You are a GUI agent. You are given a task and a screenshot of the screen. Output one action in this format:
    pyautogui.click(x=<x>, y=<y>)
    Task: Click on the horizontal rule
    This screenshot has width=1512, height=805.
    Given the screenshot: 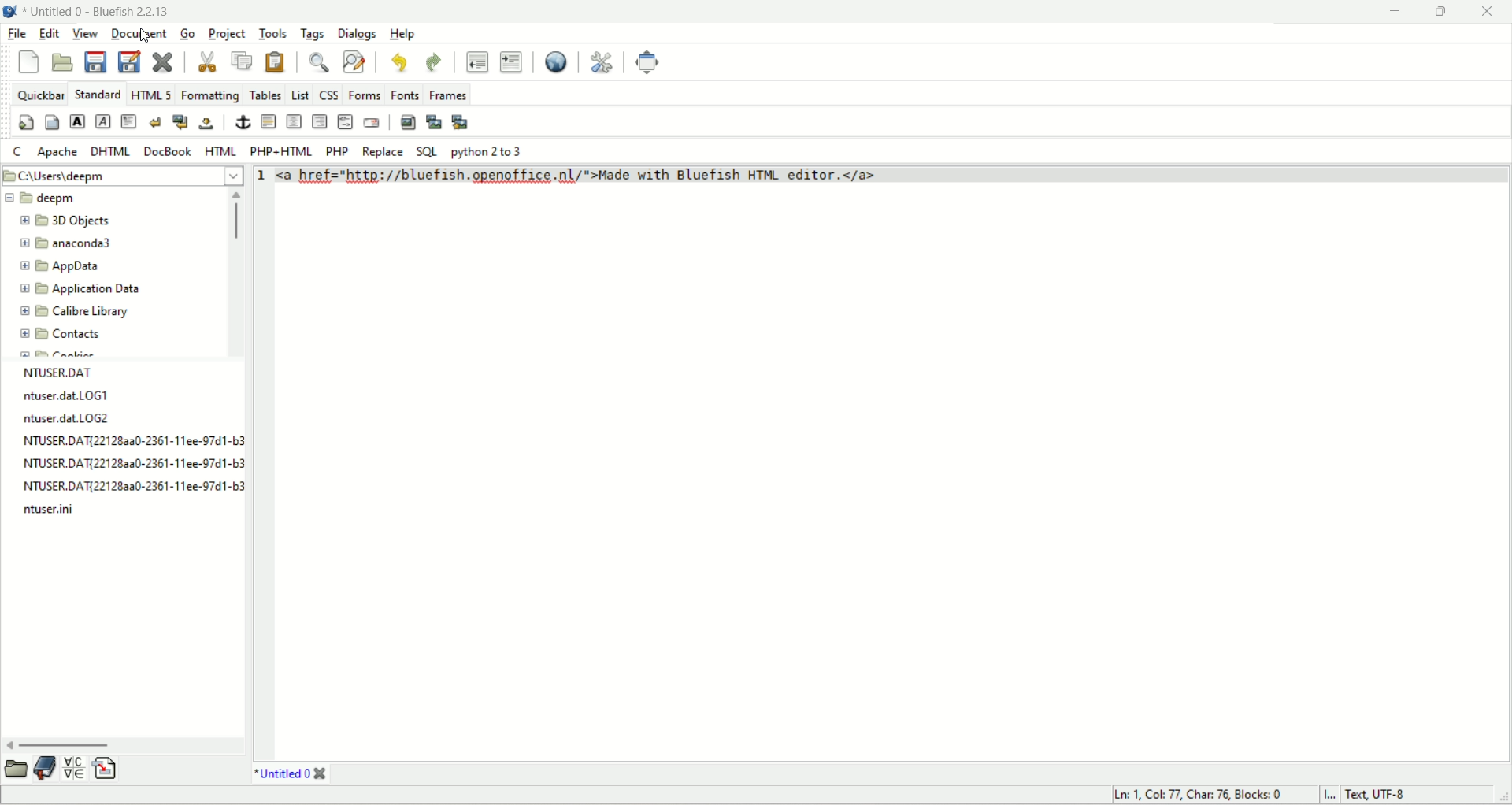 What is the action you would take?
    pyautogui.click(x=266, y=123)
    